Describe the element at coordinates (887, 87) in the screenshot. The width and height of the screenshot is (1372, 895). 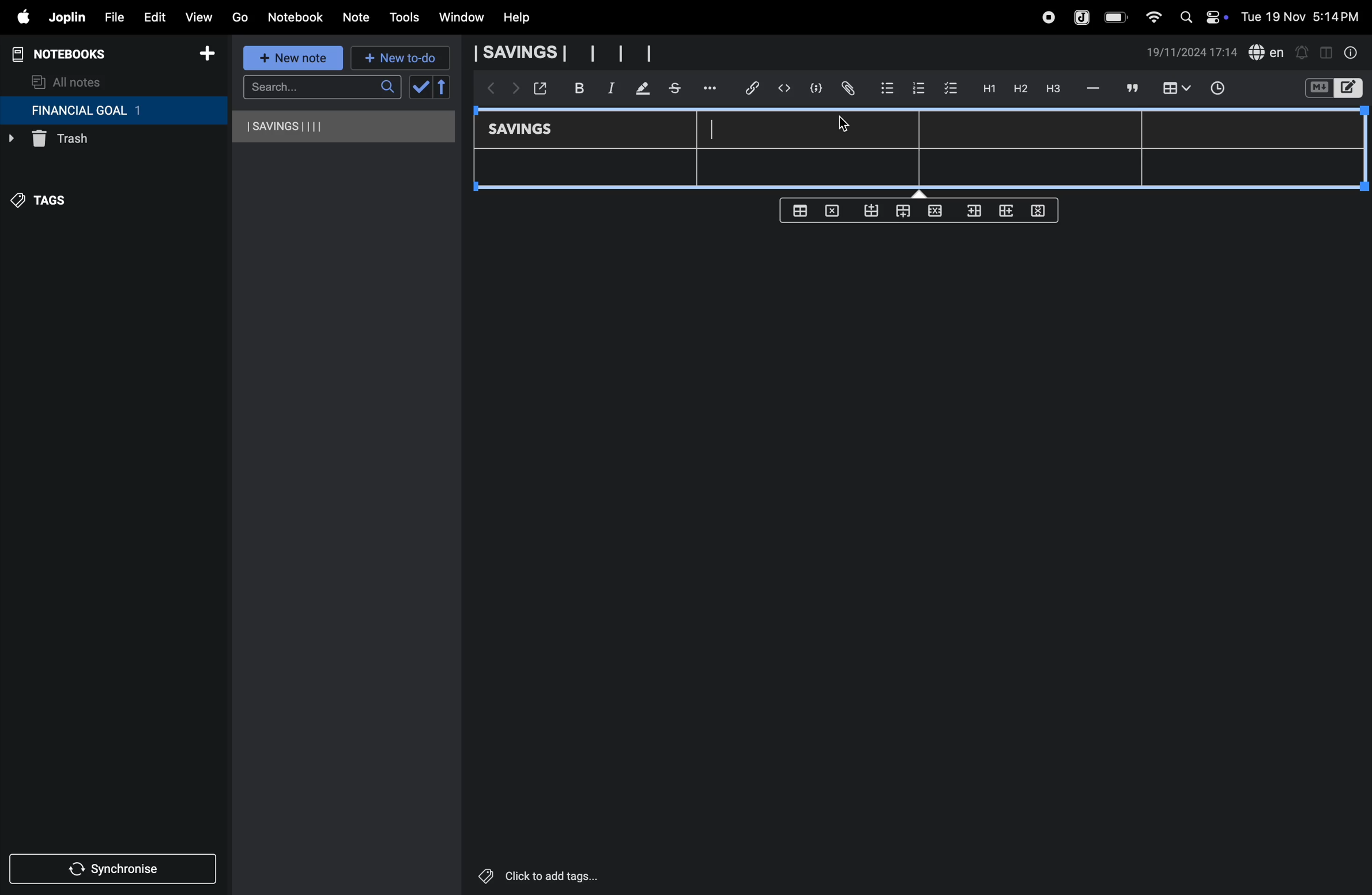
I see `bullet list` at that location.